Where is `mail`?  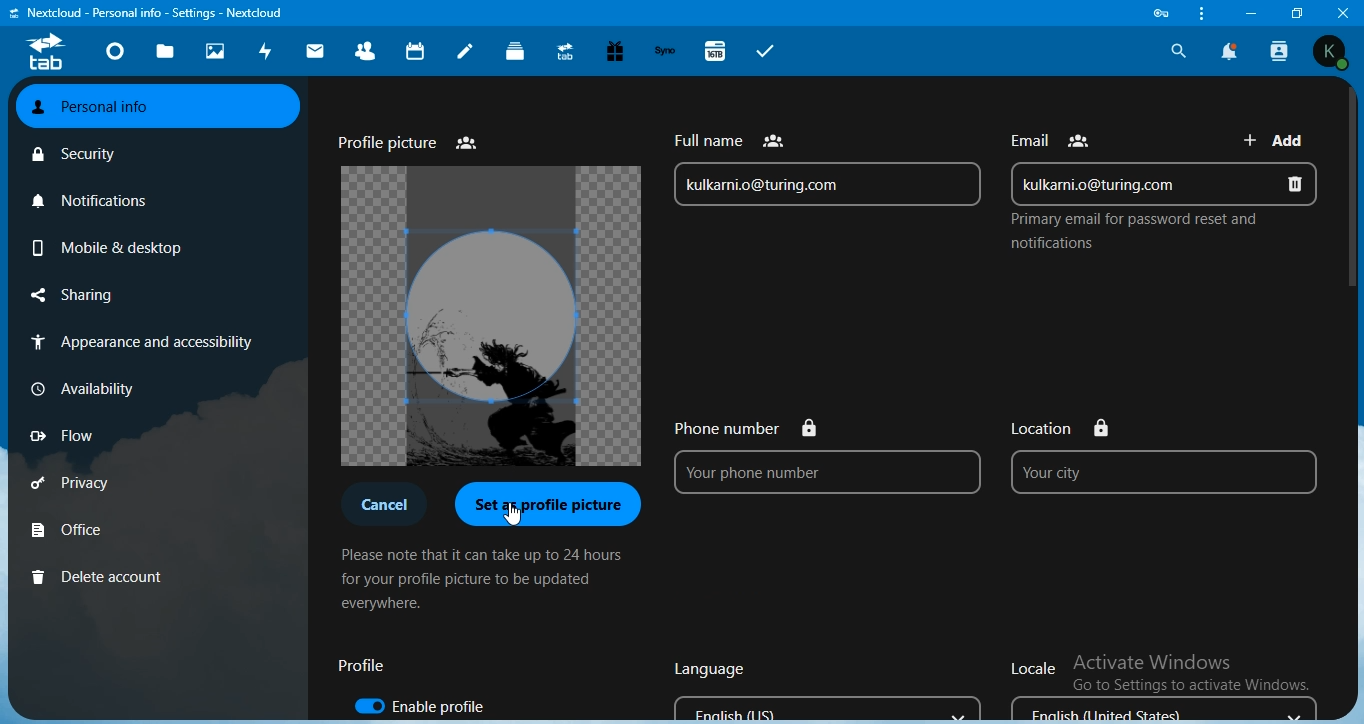 mail is located at coordinates (315, 54).